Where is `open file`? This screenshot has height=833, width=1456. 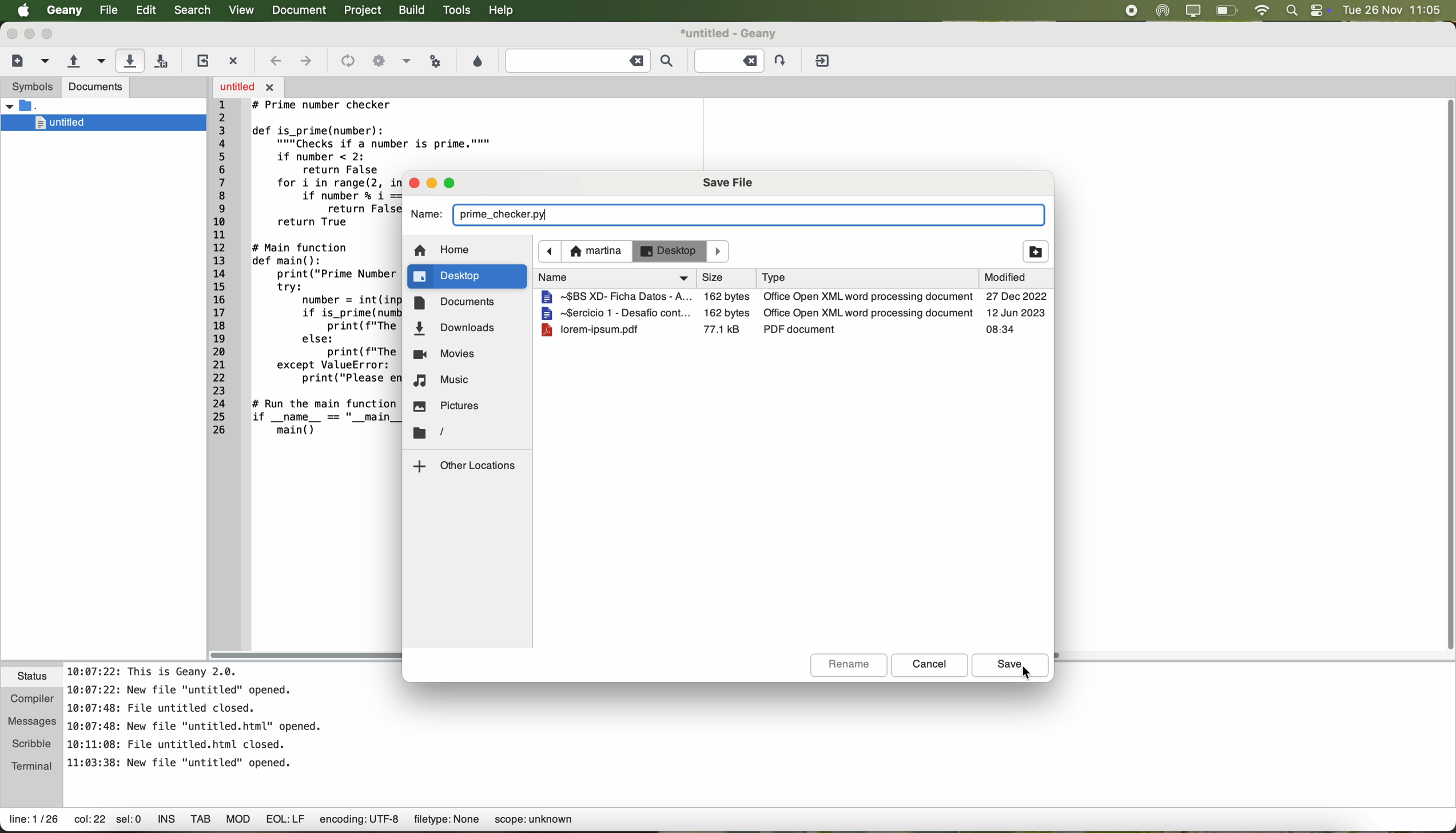 open file is located at coordinates (248, 86).